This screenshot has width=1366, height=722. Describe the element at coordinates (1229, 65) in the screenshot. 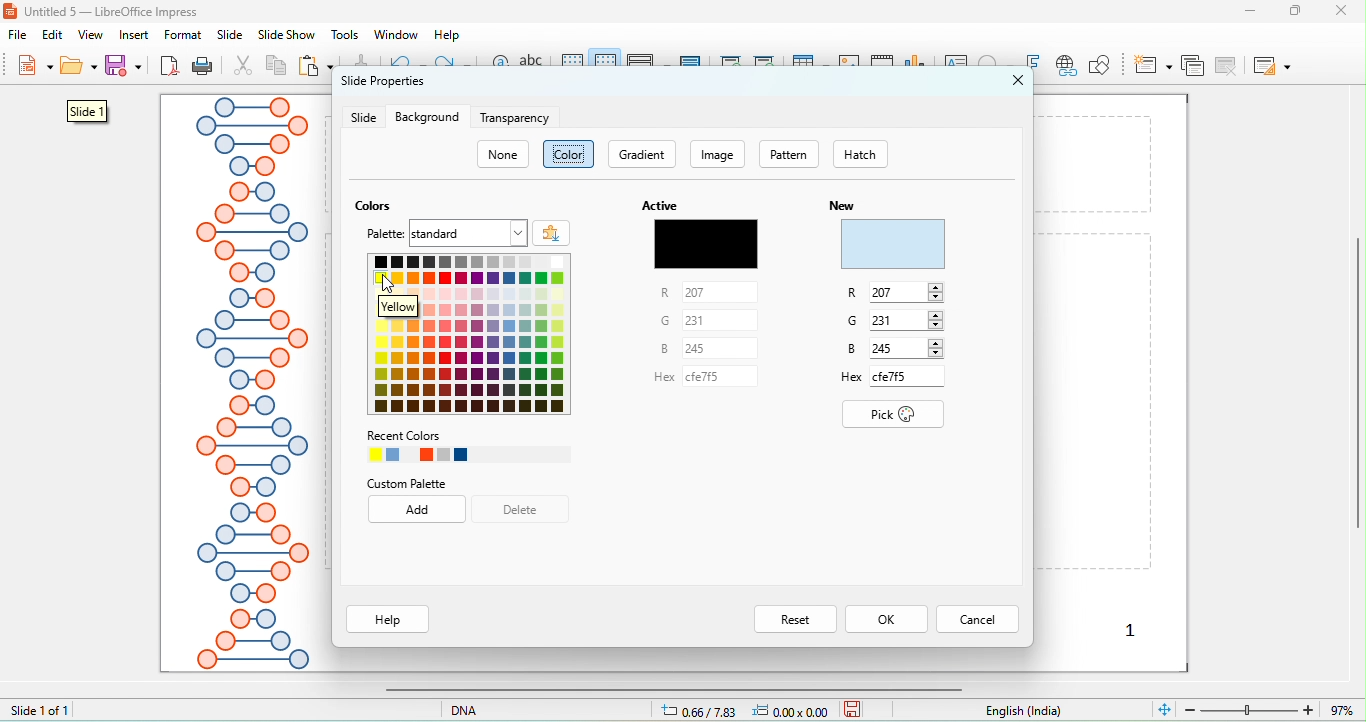

I see `remove slide` at that location.